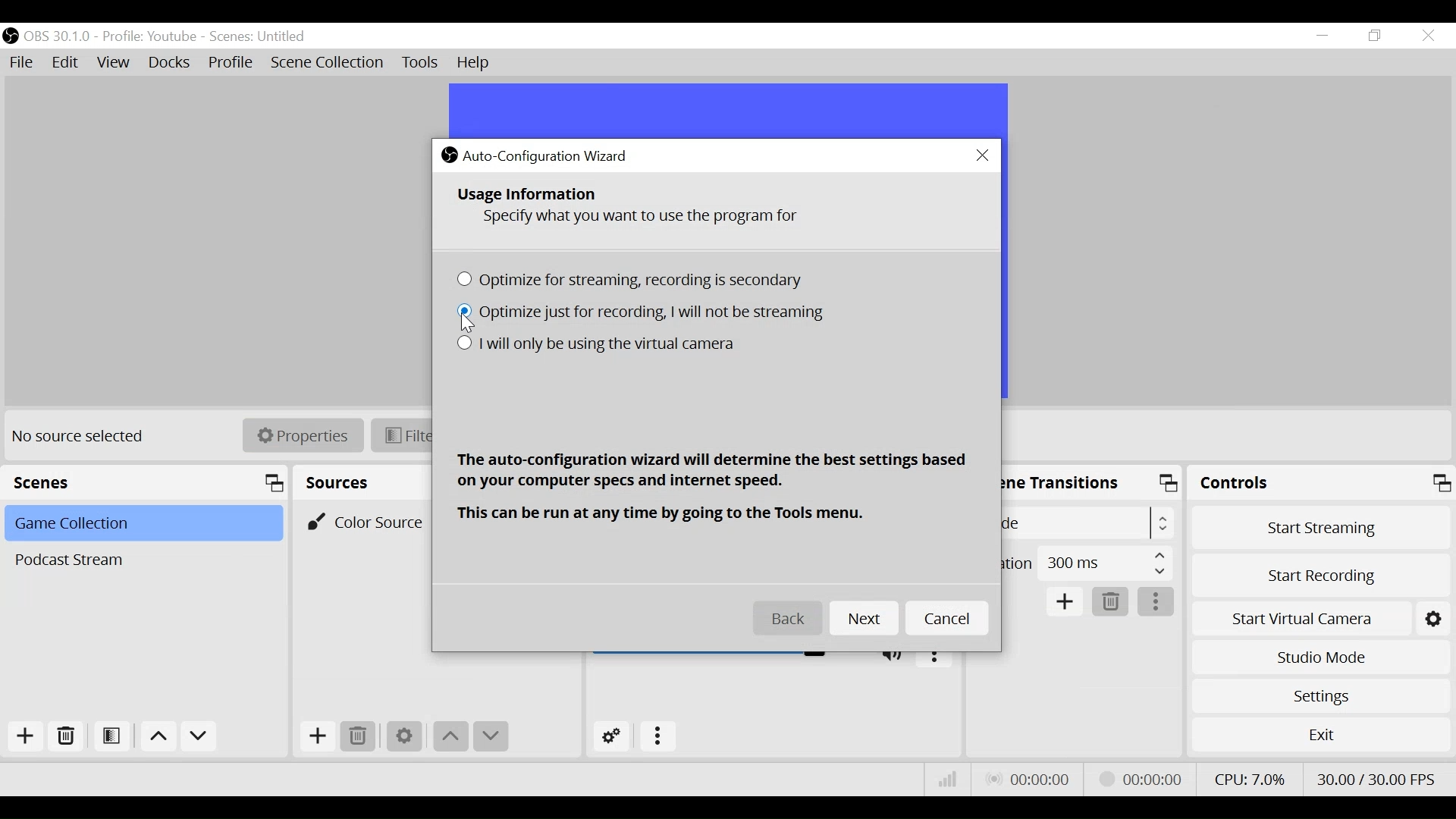 This screenshot has width=1456, height=819. What do you see at coordinates (529, 194) in the screenshot?
I see `Usage Information` at bounding box center [529, 194].